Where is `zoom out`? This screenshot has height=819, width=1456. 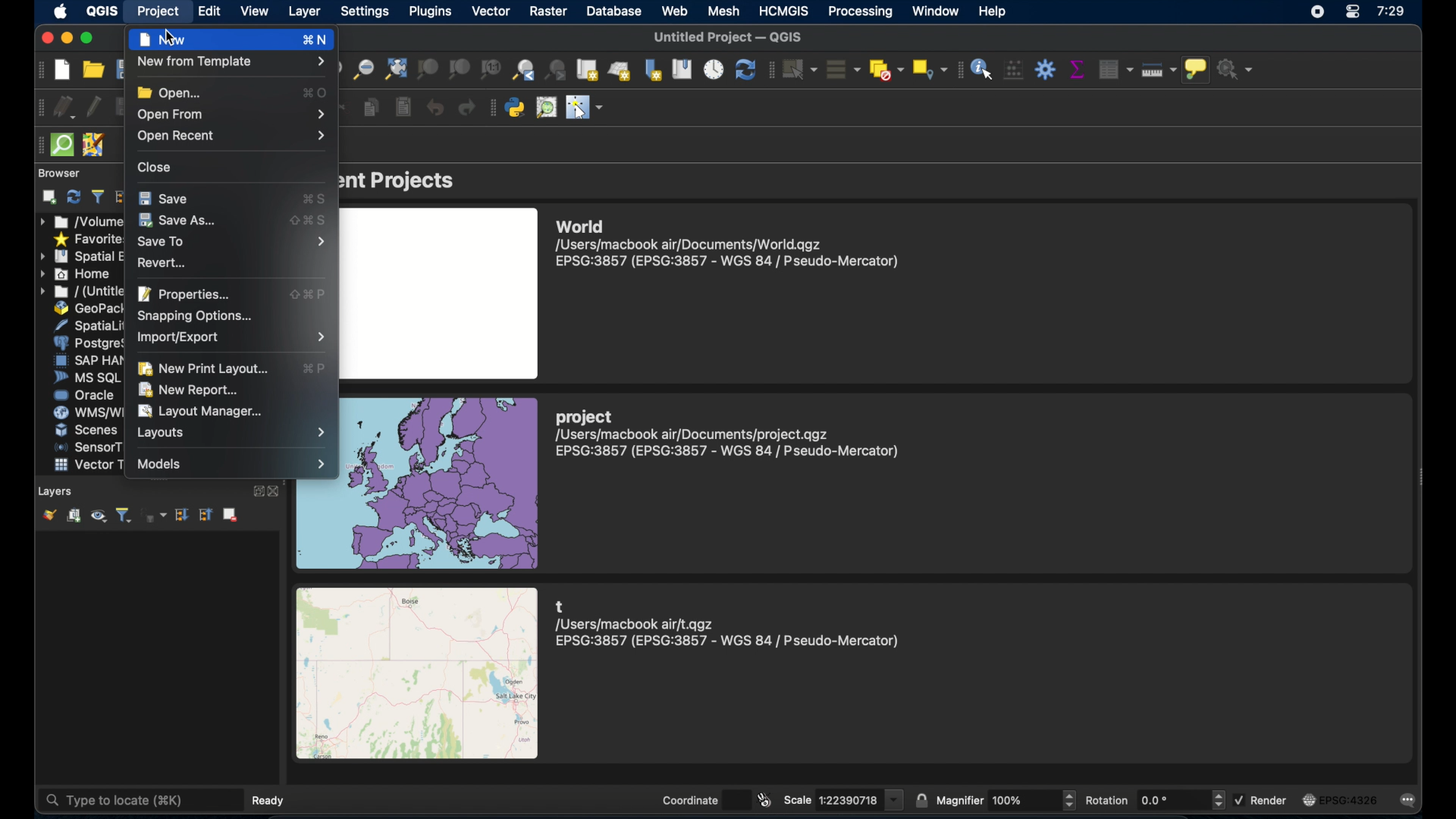
zoom out is located at coordinates (362, 70).